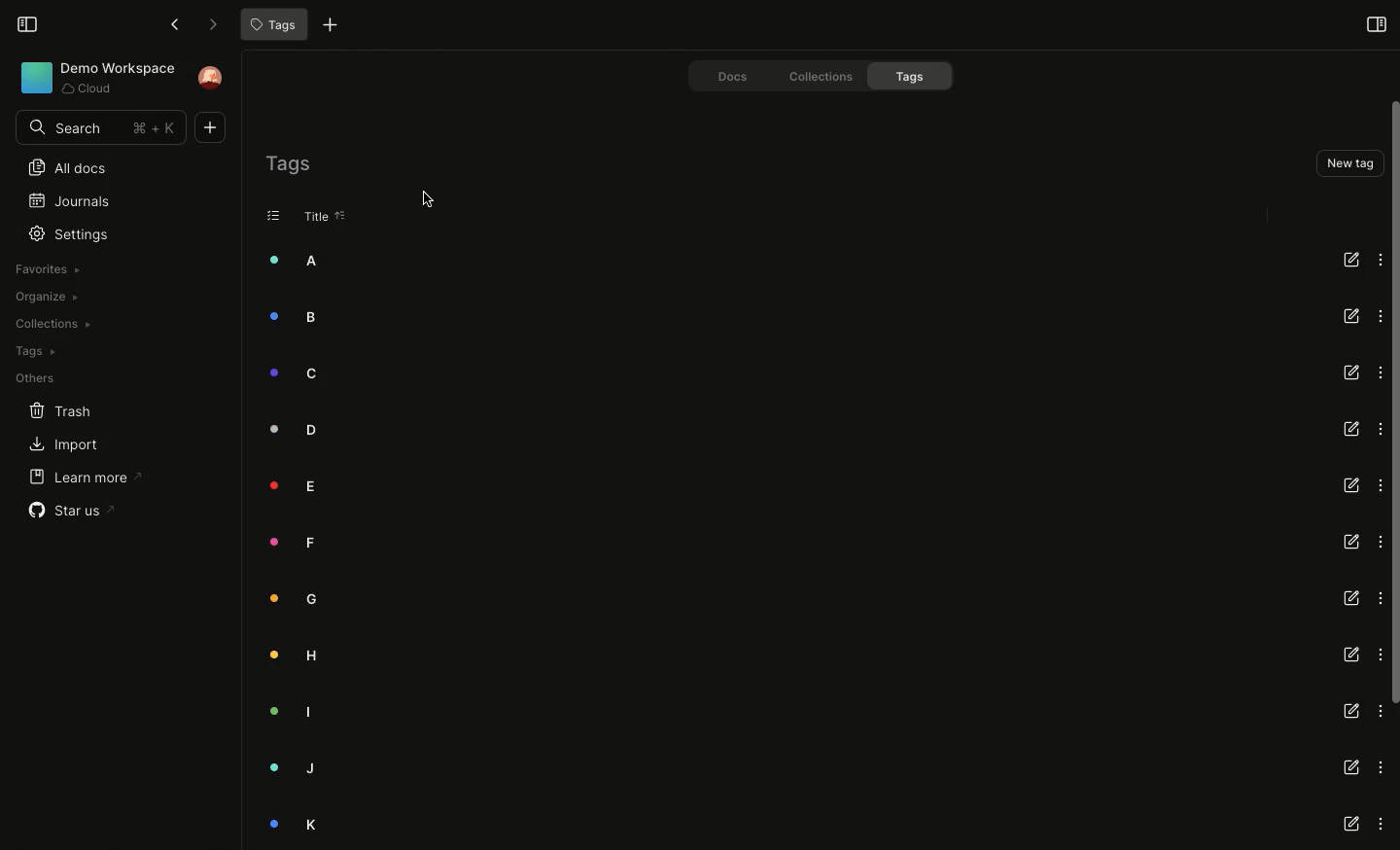  What do you see at coordinates (60, 169) in the screenshot?
I see `All docs` at bounding box center [60, 169].